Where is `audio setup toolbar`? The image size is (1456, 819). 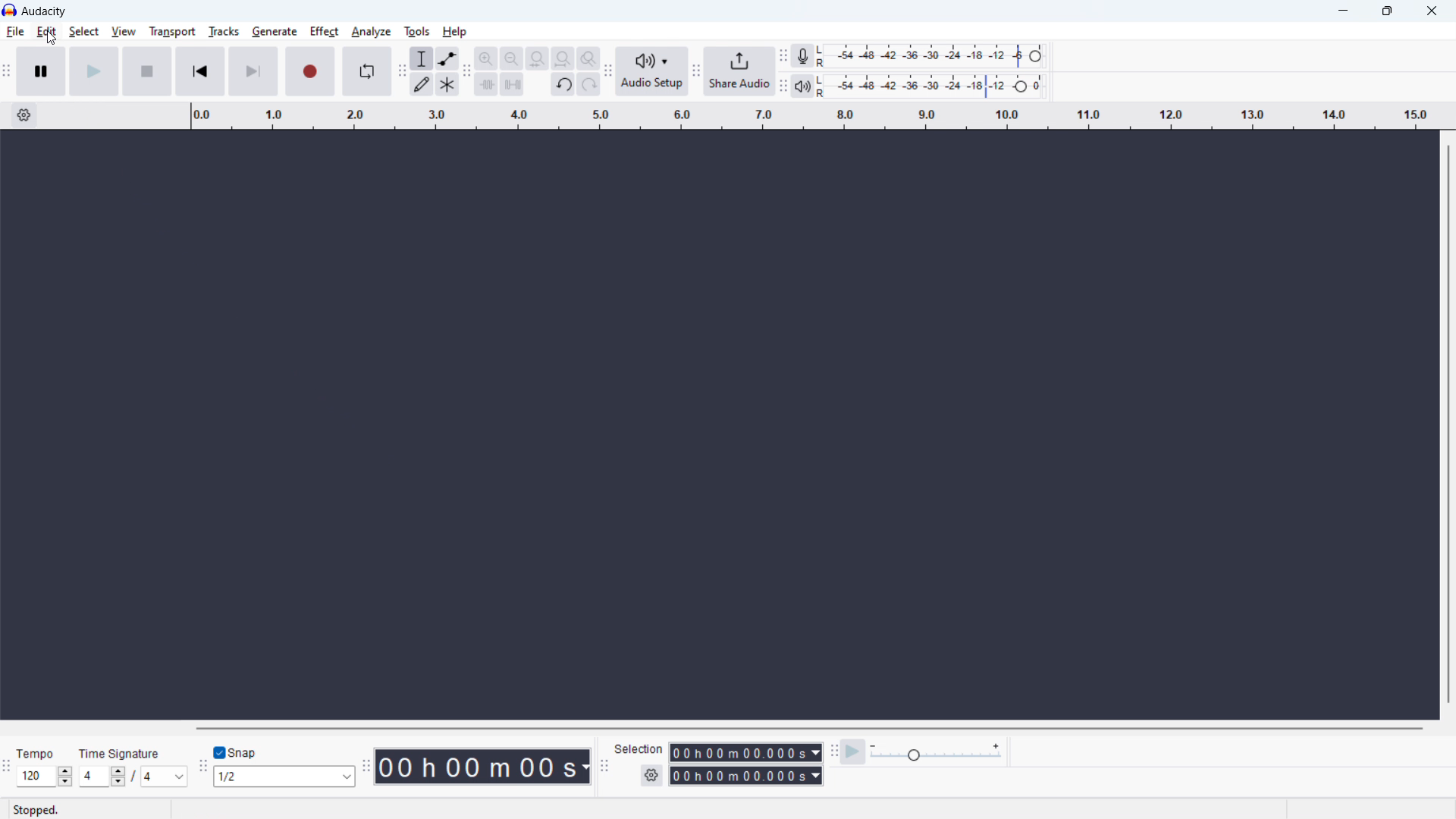 audio setup toolbar is located at coordinates (609, 71).